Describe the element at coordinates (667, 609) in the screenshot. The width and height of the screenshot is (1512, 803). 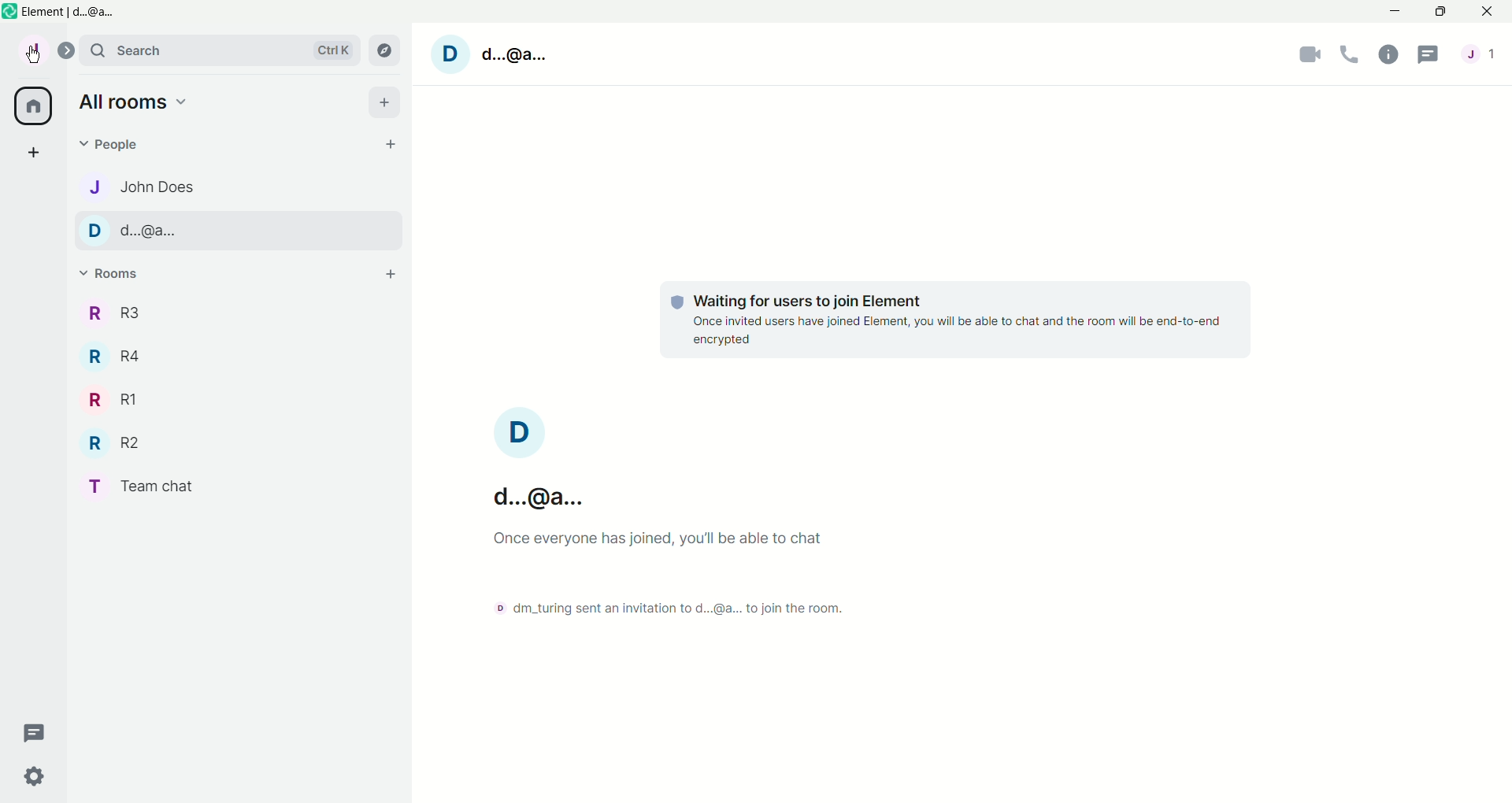
I see `dm_turing sent an invitation to d...@a... to join the room.` at that location.